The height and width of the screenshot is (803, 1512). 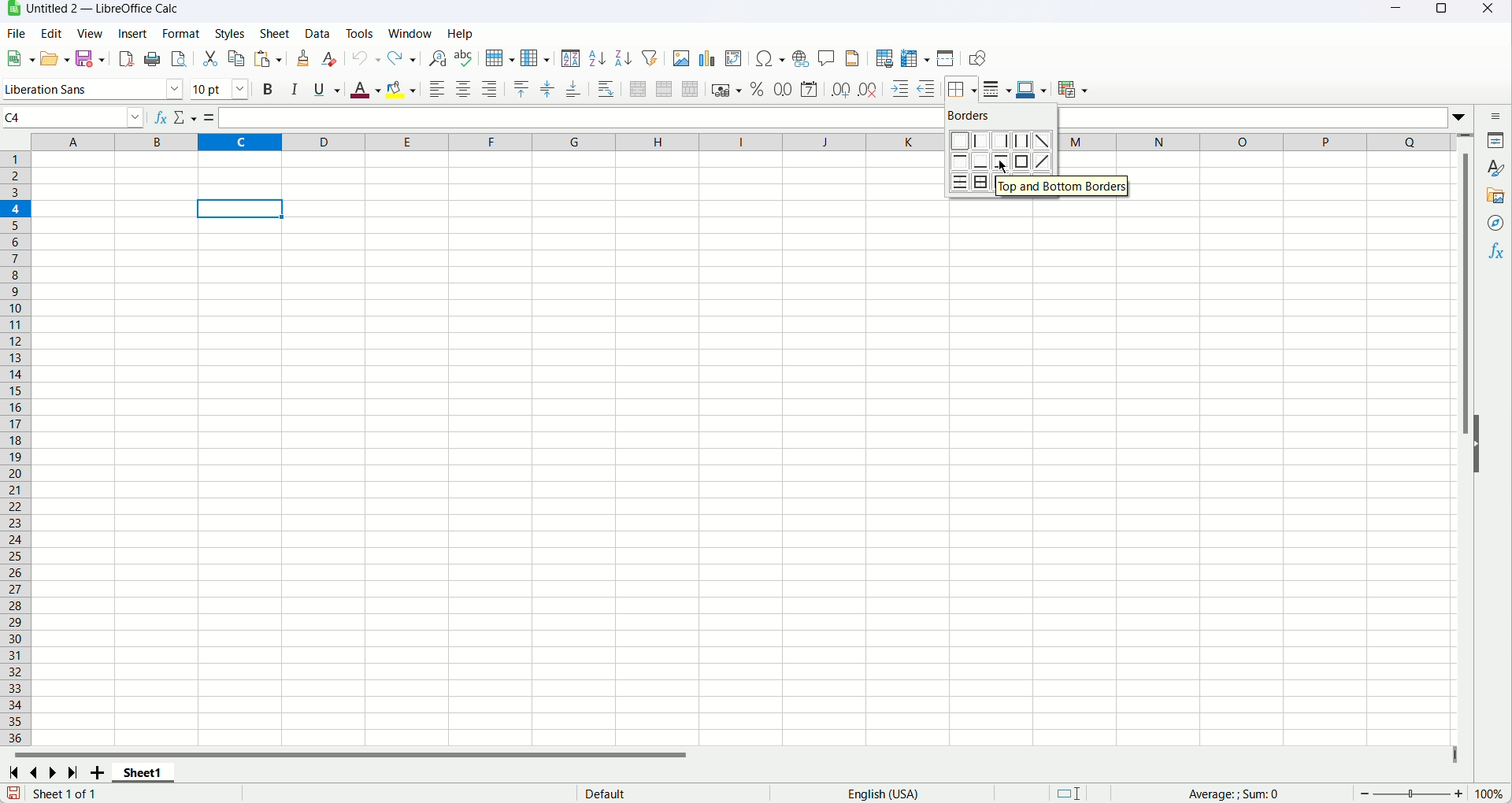 I want to click on Bottom border, so click(x=981, y=160).